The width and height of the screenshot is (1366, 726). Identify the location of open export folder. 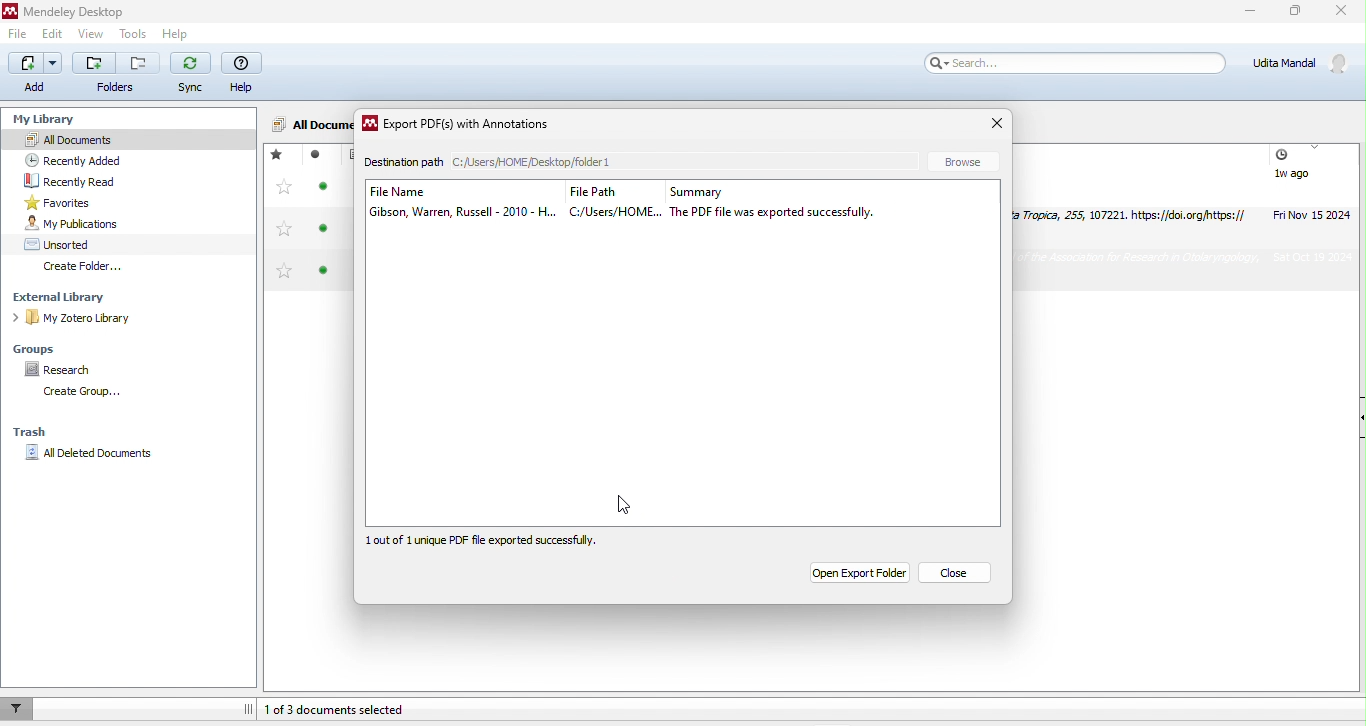
(856, 574).